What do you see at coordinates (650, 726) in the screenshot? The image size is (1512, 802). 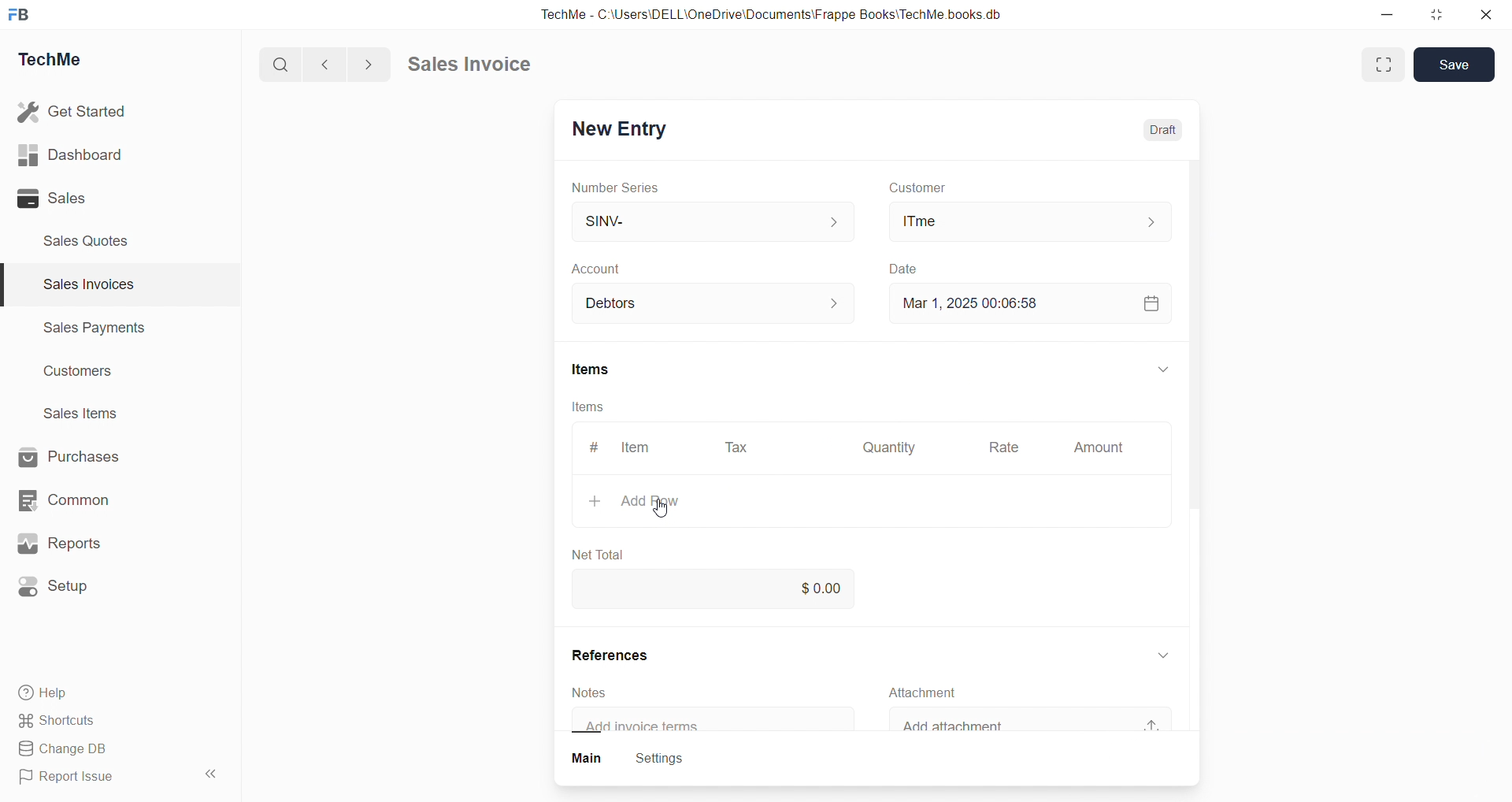 I see `__Add invoice terms` at bounding box center [650, 726].